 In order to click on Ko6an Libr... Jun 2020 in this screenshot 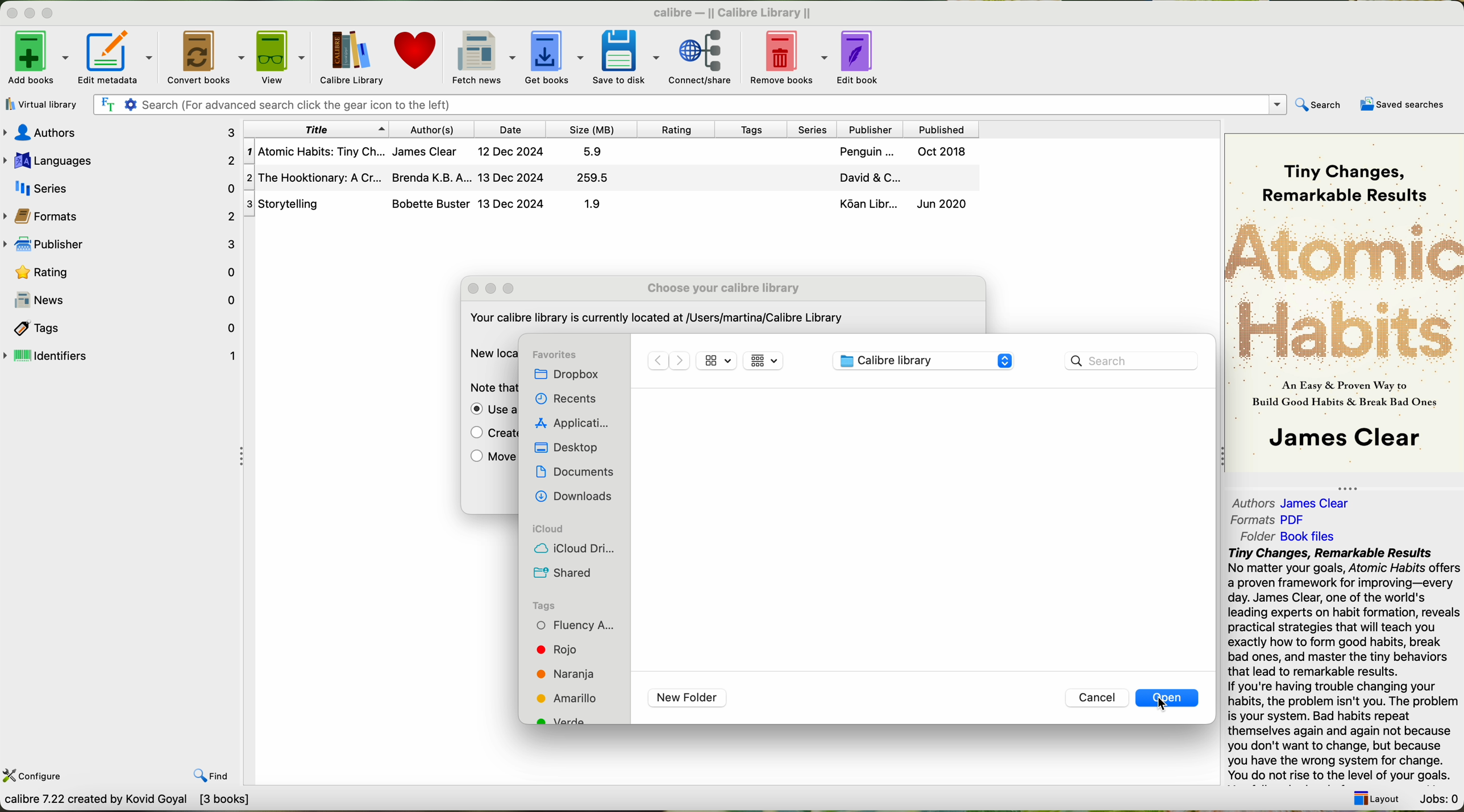, I will do `click(900, 206)`.